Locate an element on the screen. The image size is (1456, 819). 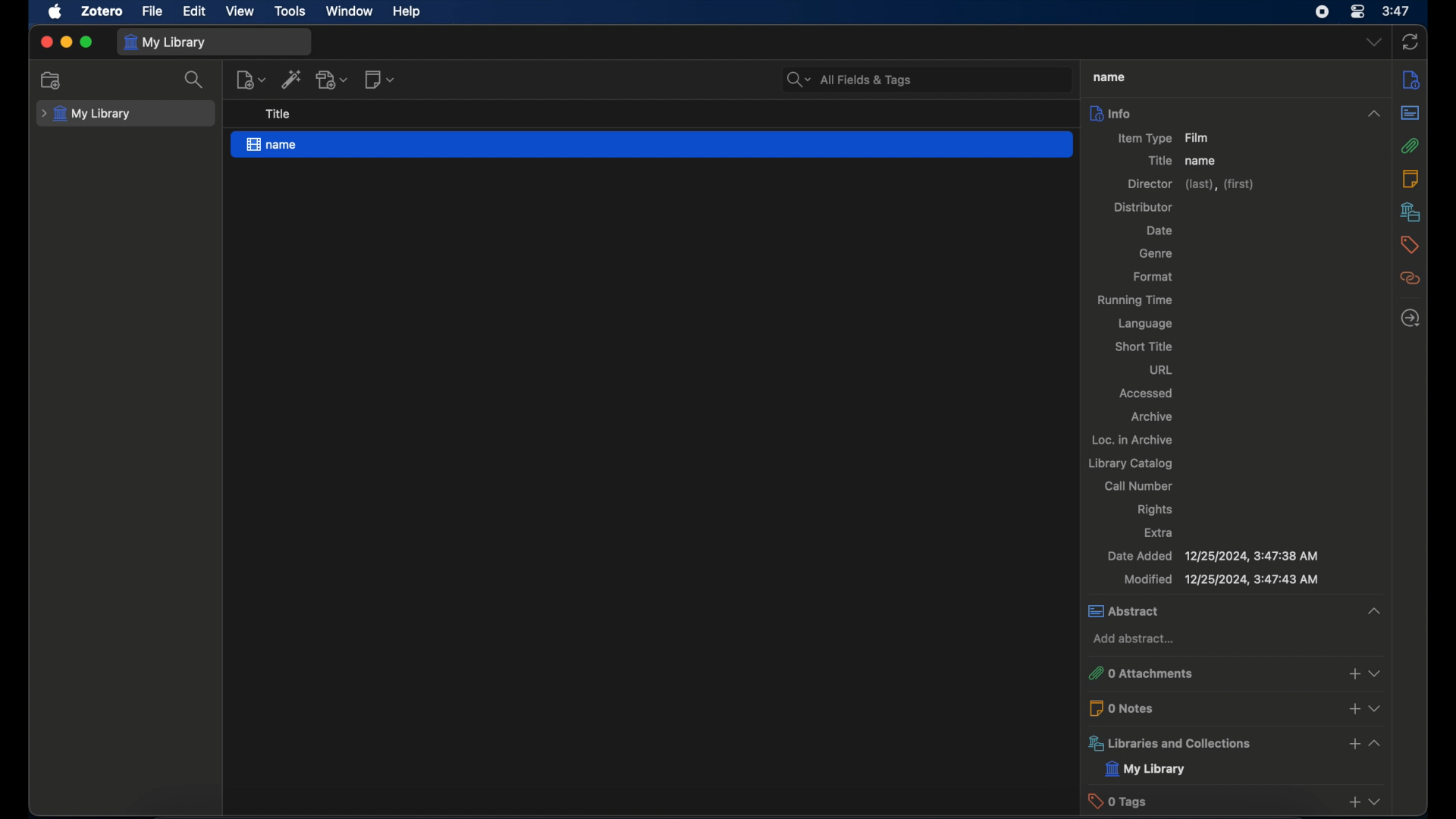
add libraries is located at coordinates (1350, 742).